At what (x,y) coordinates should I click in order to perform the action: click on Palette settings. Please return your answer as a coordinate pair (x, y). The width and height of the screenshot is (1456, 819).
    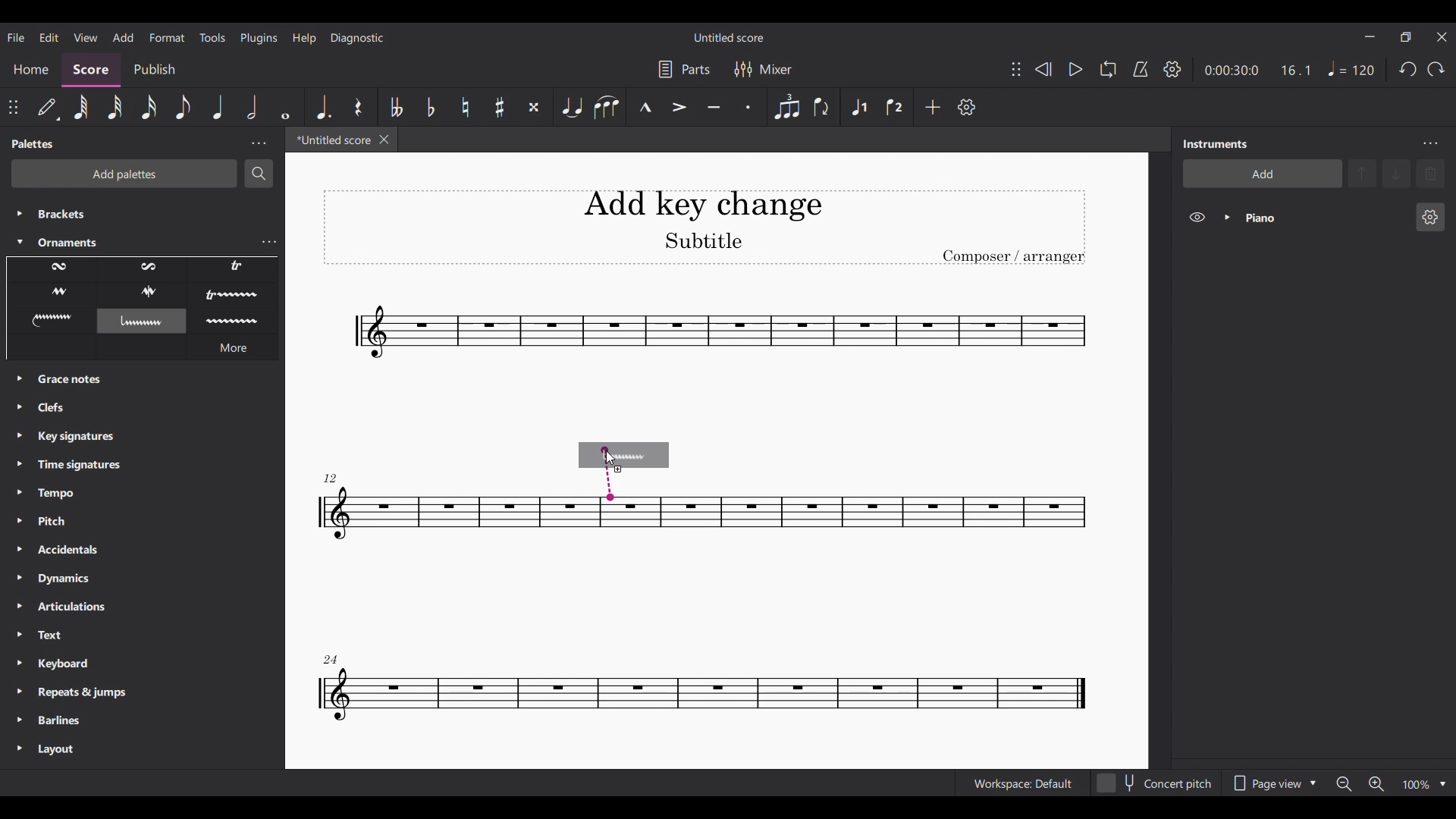
    Looking at the image, I should click on (259, 143).